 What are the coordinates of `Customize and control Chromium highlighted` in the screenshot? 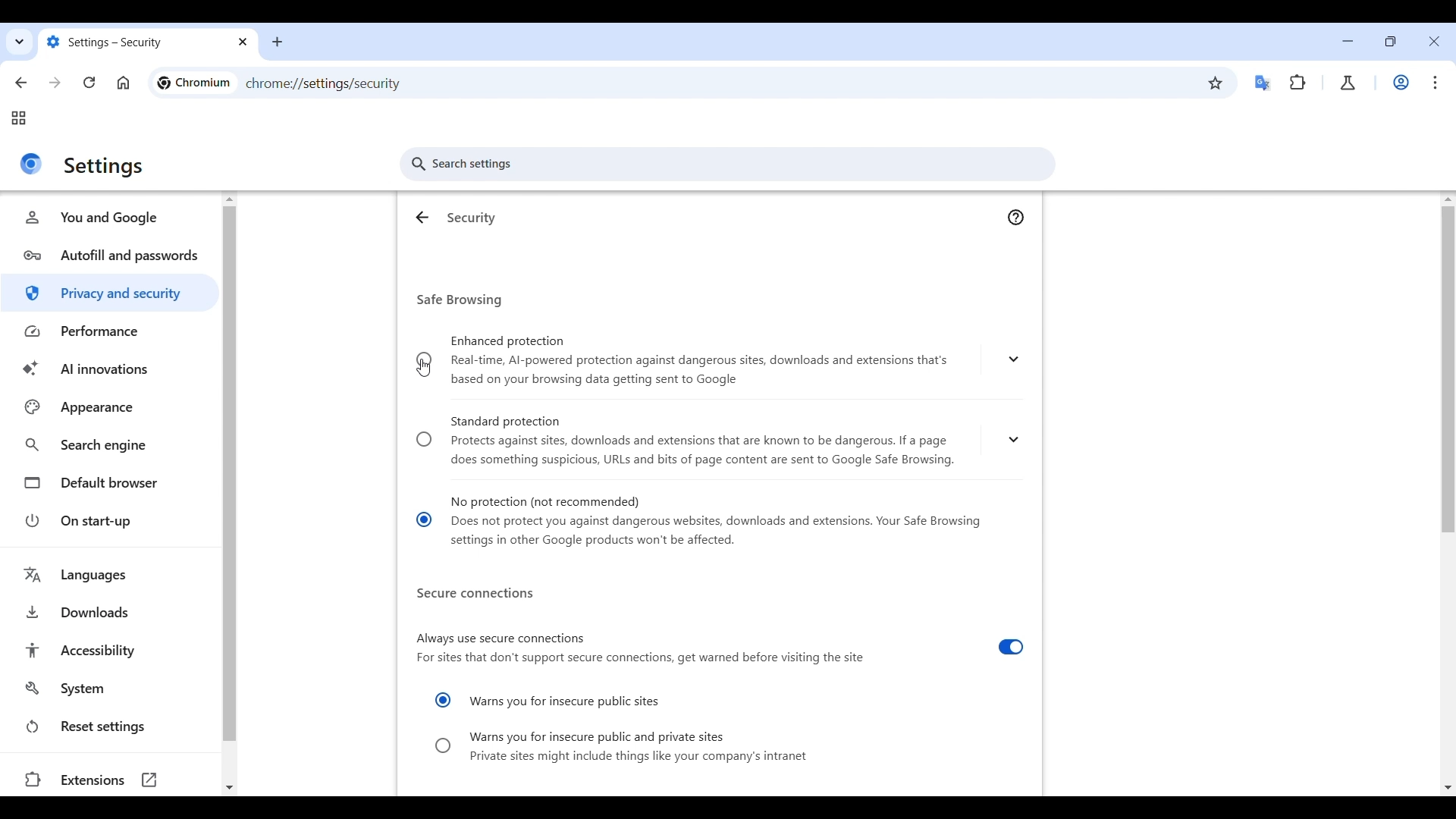 It's located at (1436, 83).